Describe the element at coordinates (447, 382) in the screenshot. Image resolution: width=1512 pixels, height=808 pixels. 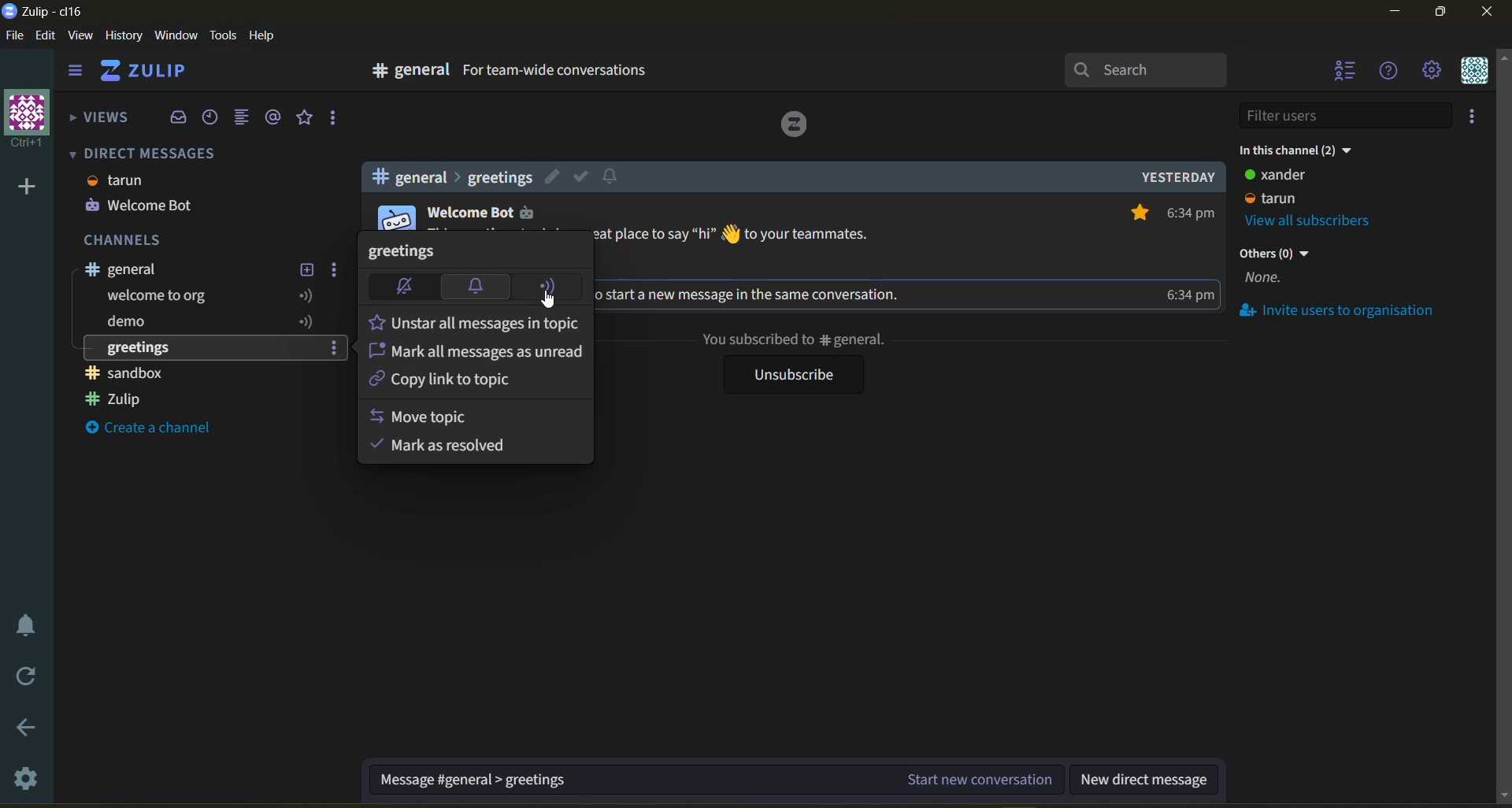
I see `copy link` at that location.